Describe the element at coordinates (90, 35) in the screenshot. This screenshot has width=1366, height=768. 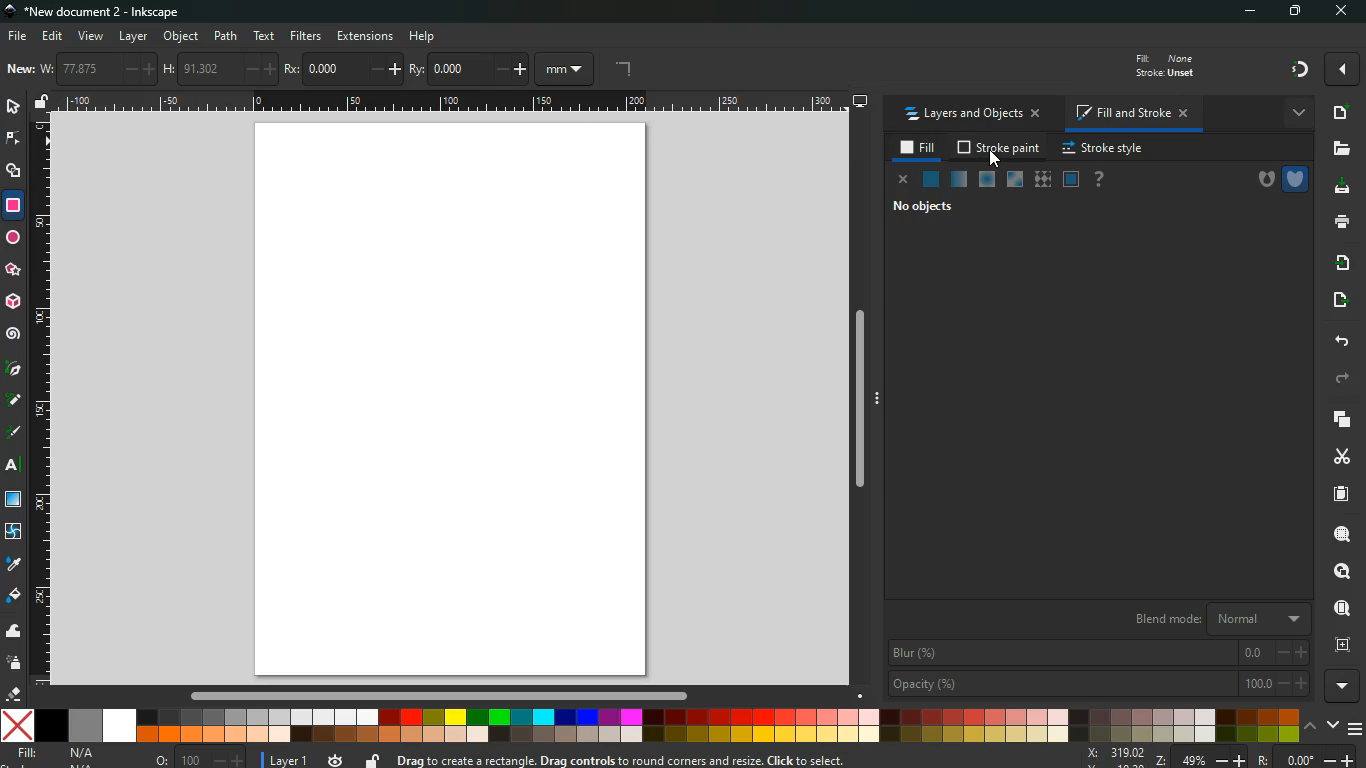
I see `view` at that location.